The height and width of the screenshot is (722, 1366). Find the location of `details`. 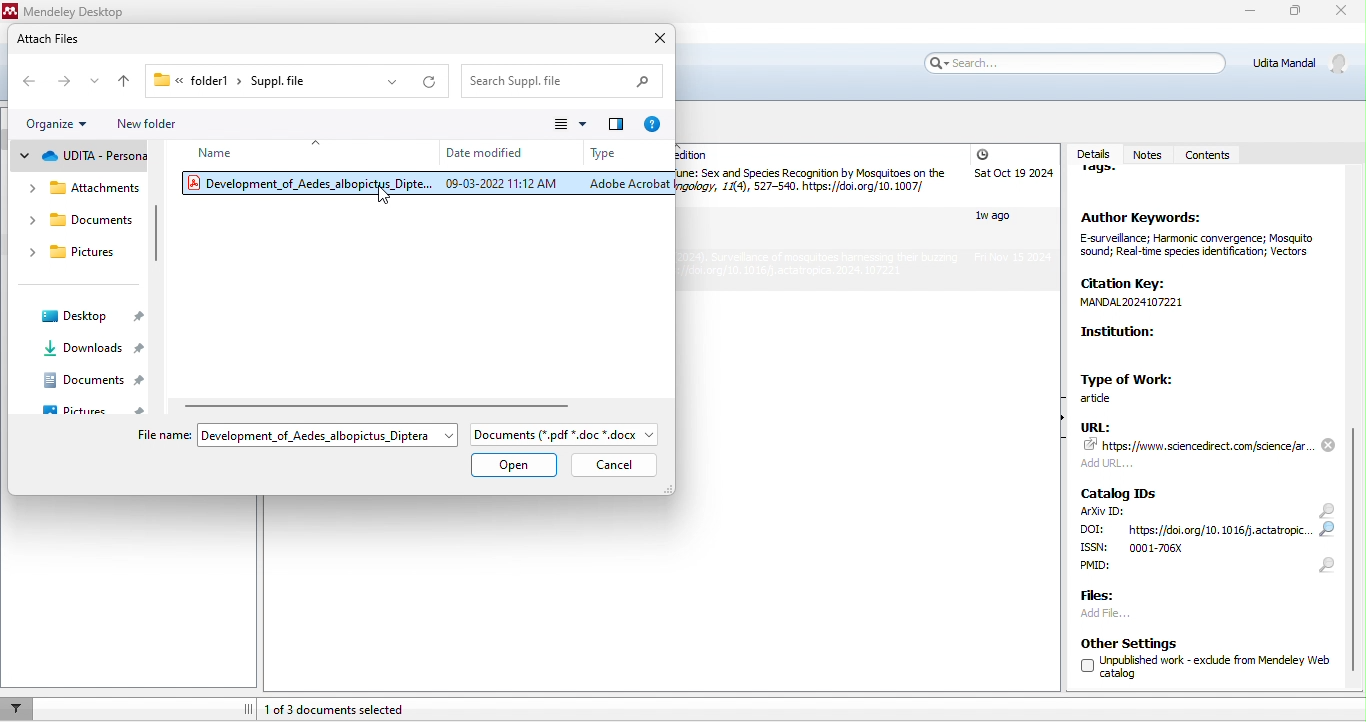

details is located at coordinates (1091, 149).